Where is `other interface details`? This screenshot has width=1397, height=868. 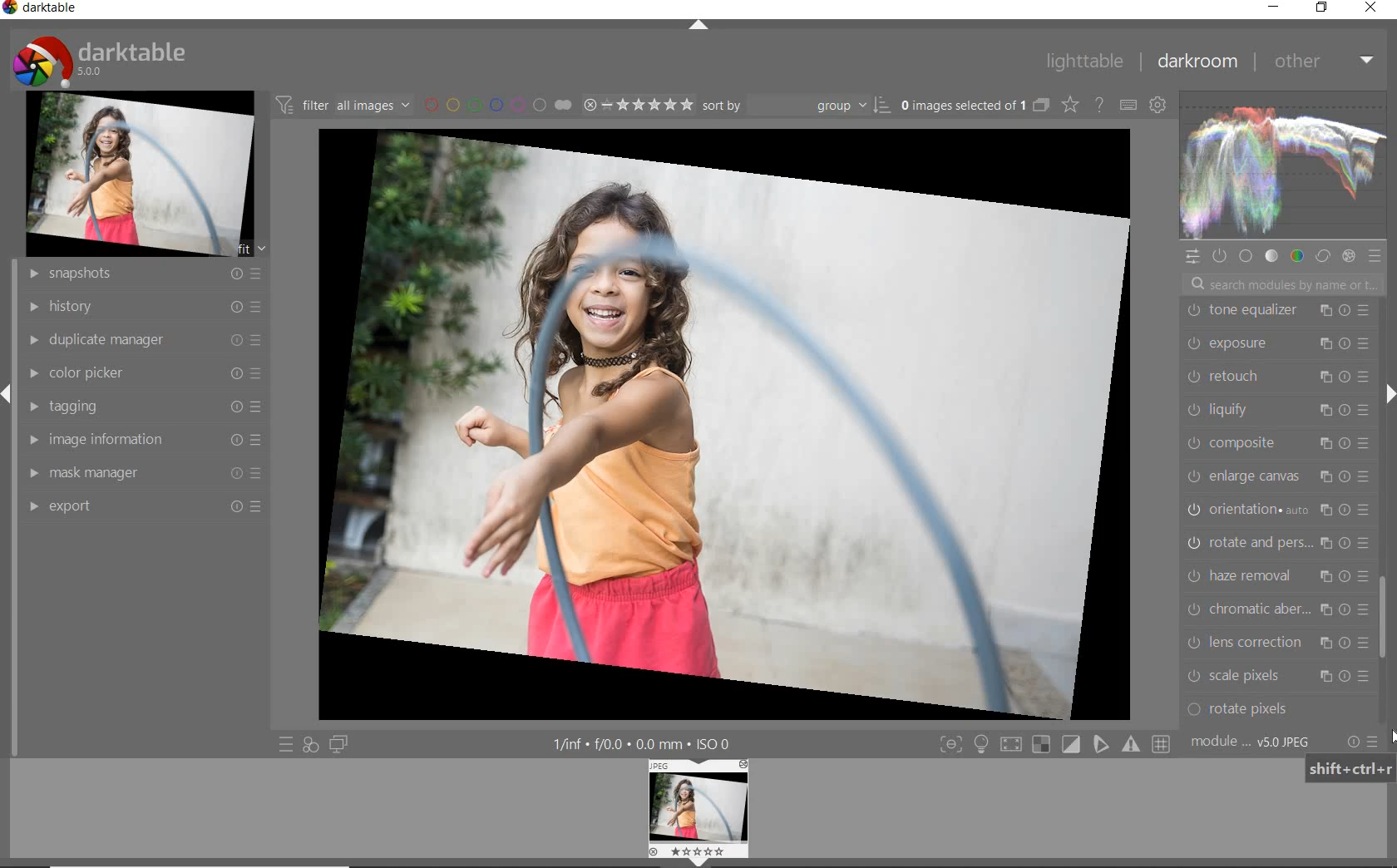 other interface details is located at coordinates (638, 744).